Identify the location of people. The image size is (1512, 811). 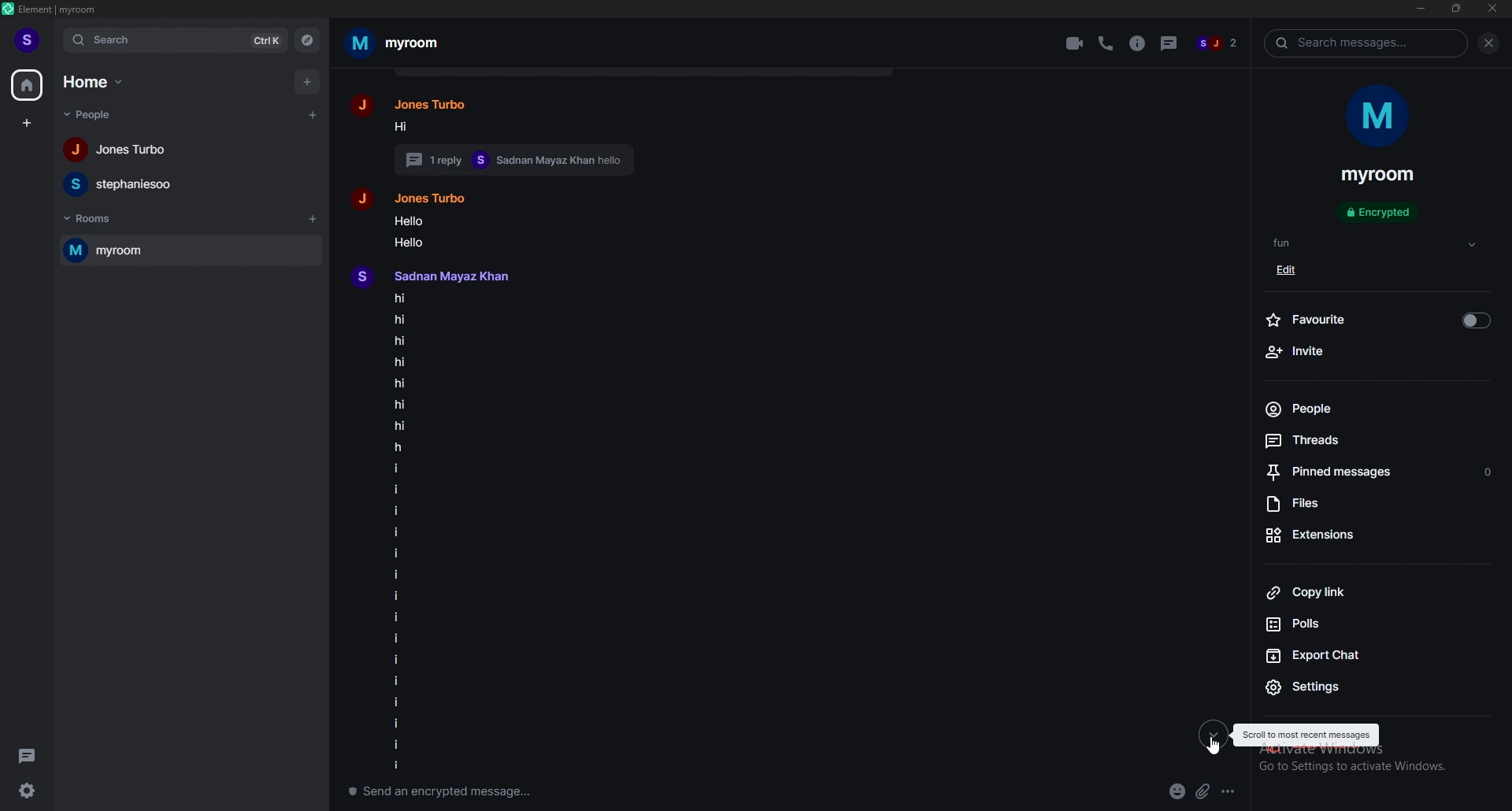
(353, 186).